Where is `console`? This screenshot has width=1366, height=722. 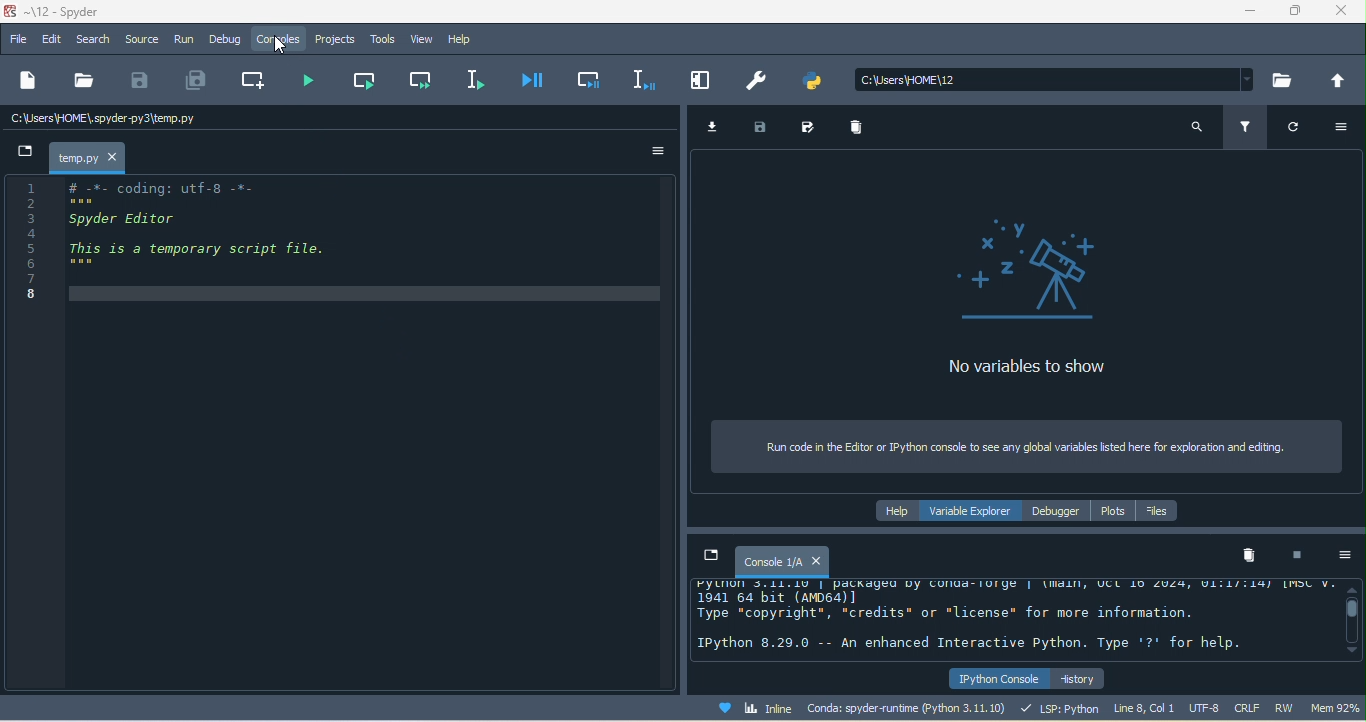
console is located at coordinates (781, 561).